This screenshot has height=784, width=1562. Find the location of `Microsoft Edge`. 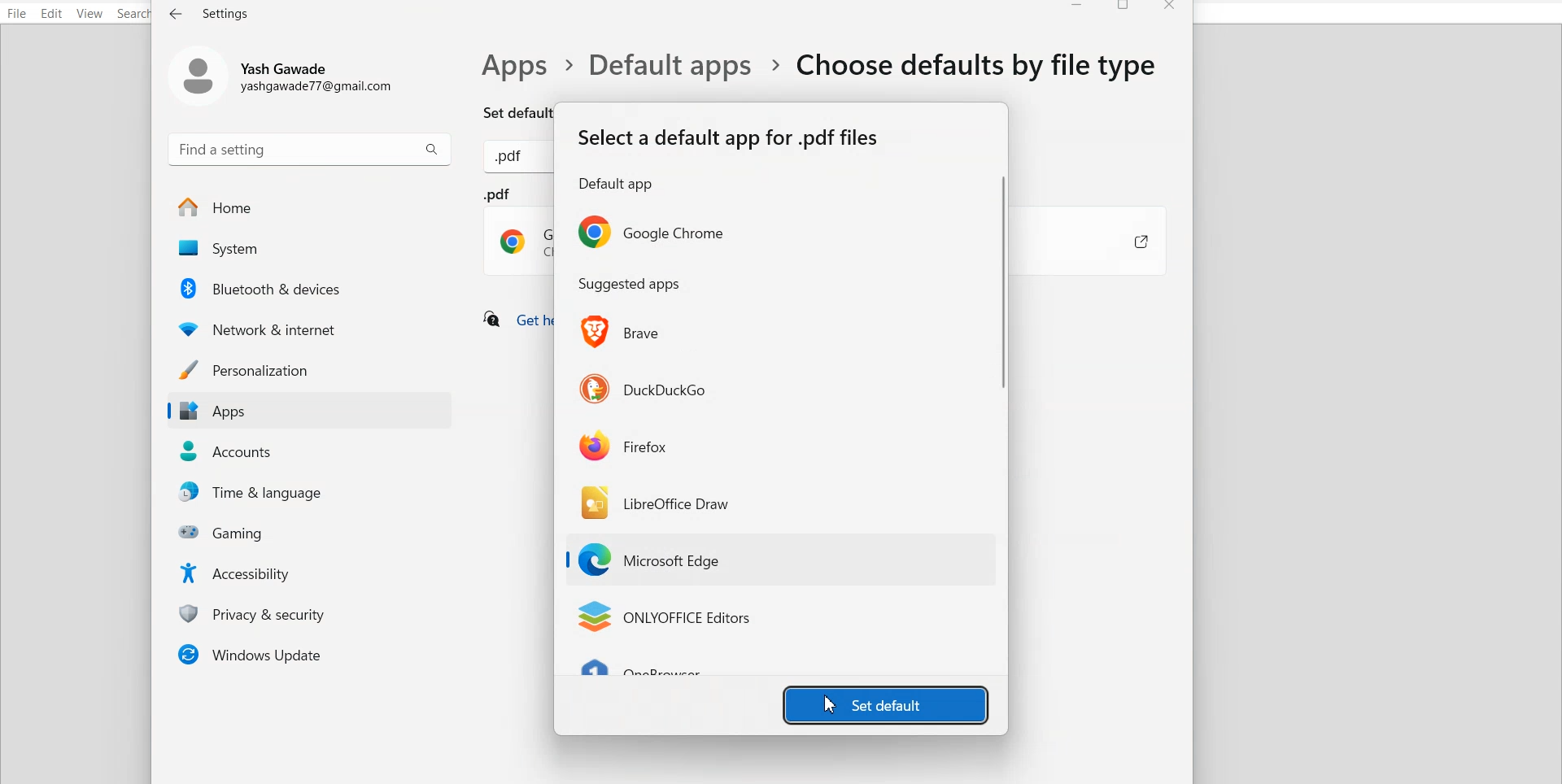

Microsoft Edge is located at coordinates (657, 561).